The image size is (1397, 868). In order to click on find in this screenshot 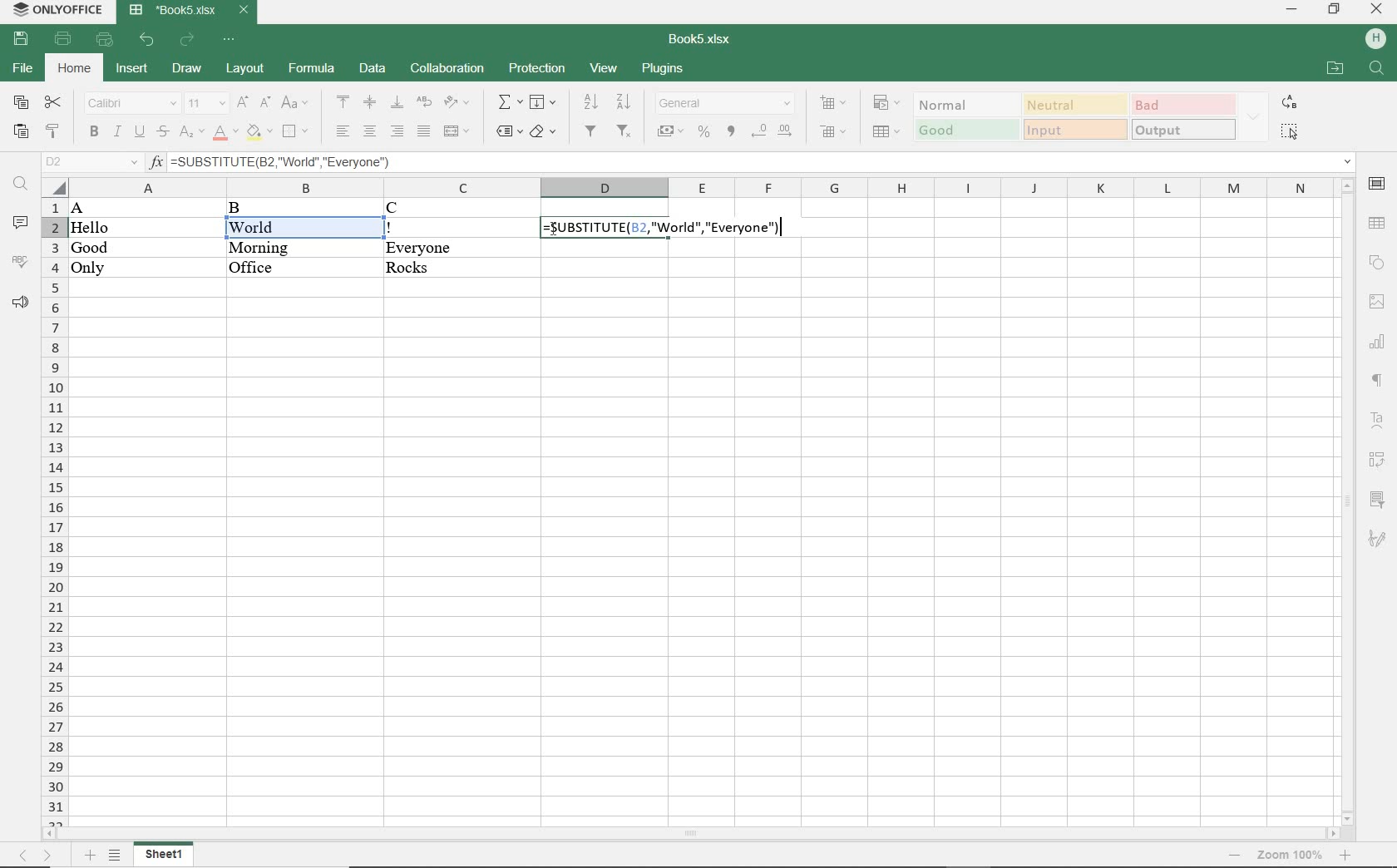, I will do `click(1379, 68)`.